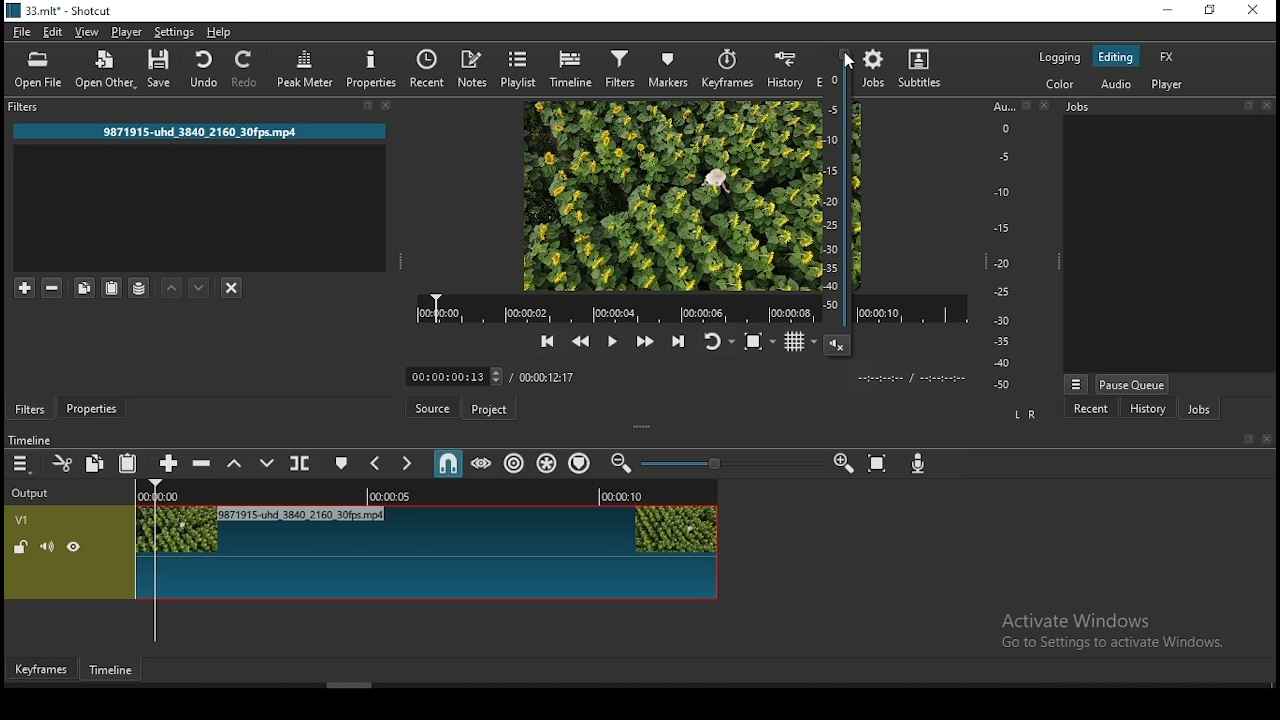  I want to click on settings, so click(172, 32).